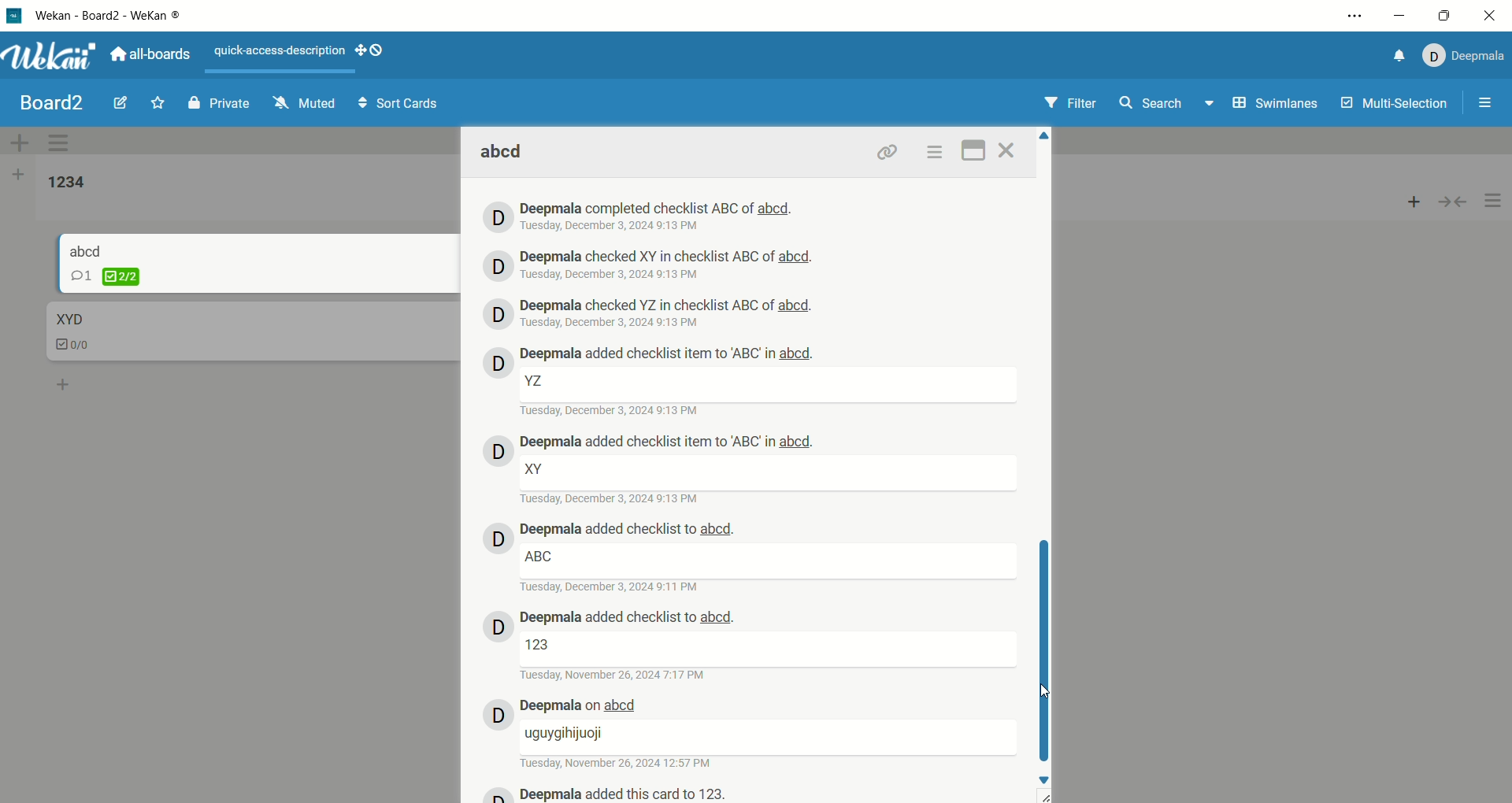 The height and width of the screenshot is (803, 1512). Describe the element at coordinates (108, 17) in the screenshot. I see `wekan-wekan` at that location.